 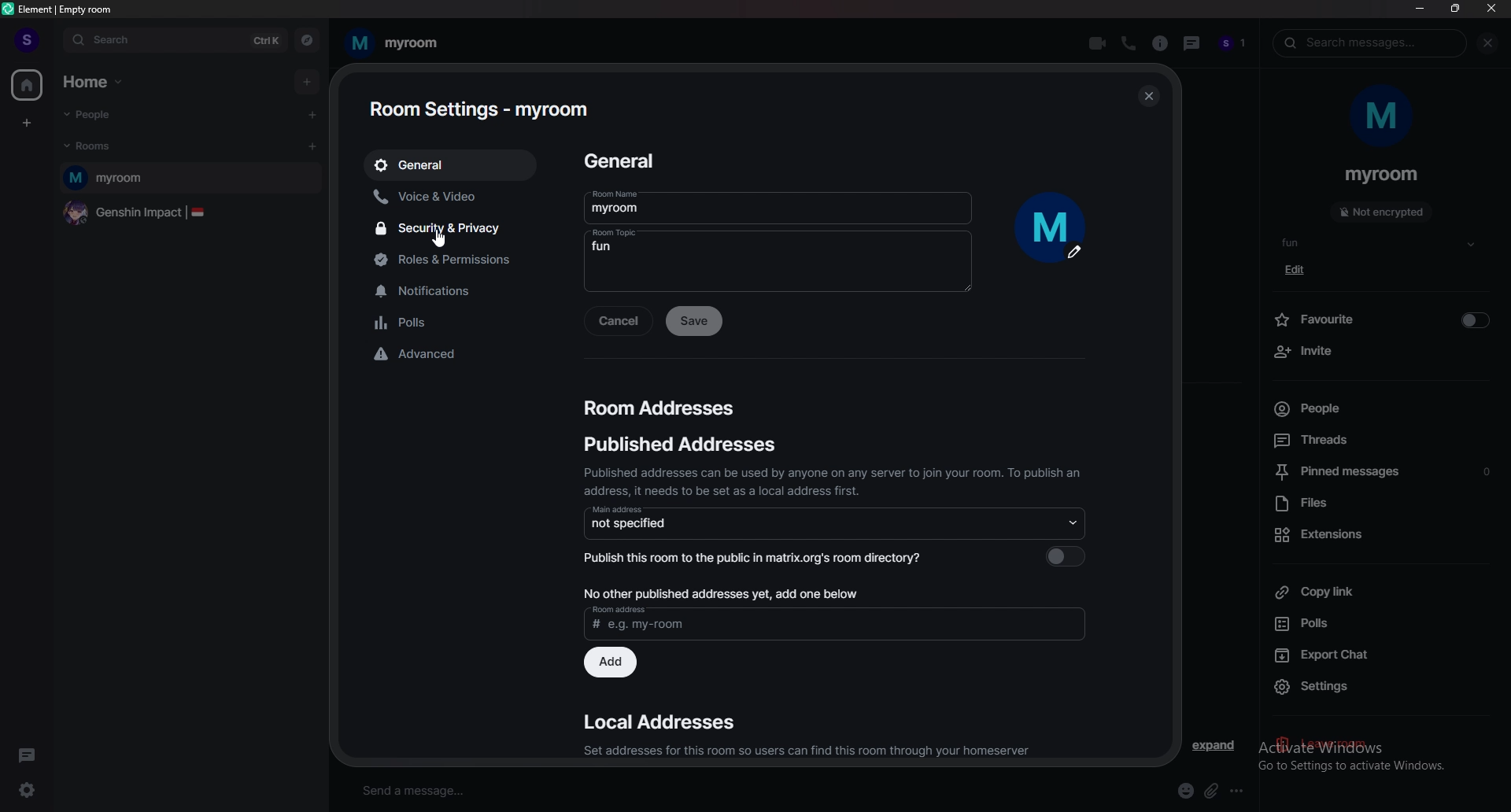 What do you see at coordinates (1455, 9) in the screenshot?
I see `resize` at bounding box center [1455, 9].